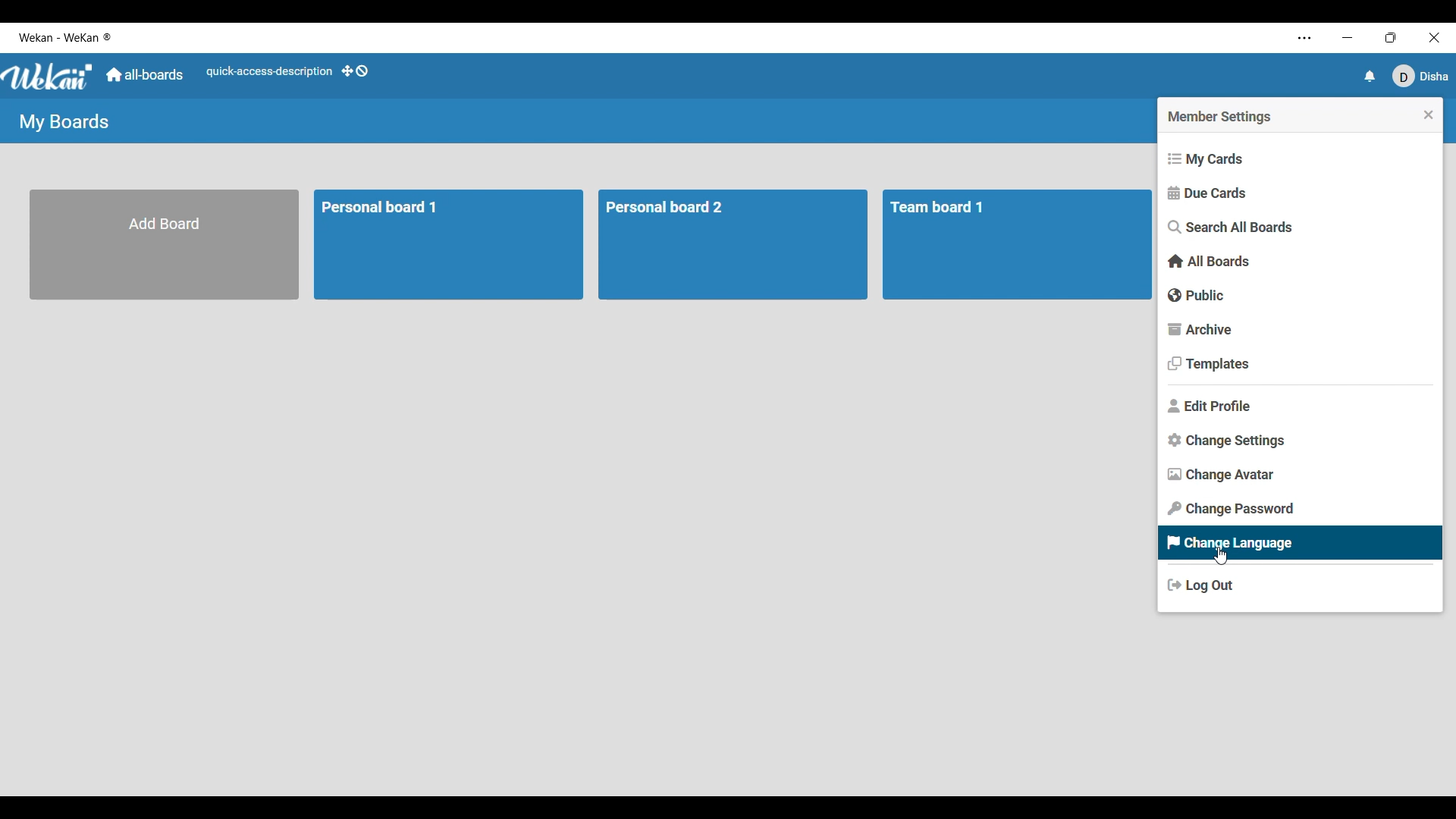 The width and height of the screenshot is (1456, 819). I want to click on Quick access description, so click(268, 71).